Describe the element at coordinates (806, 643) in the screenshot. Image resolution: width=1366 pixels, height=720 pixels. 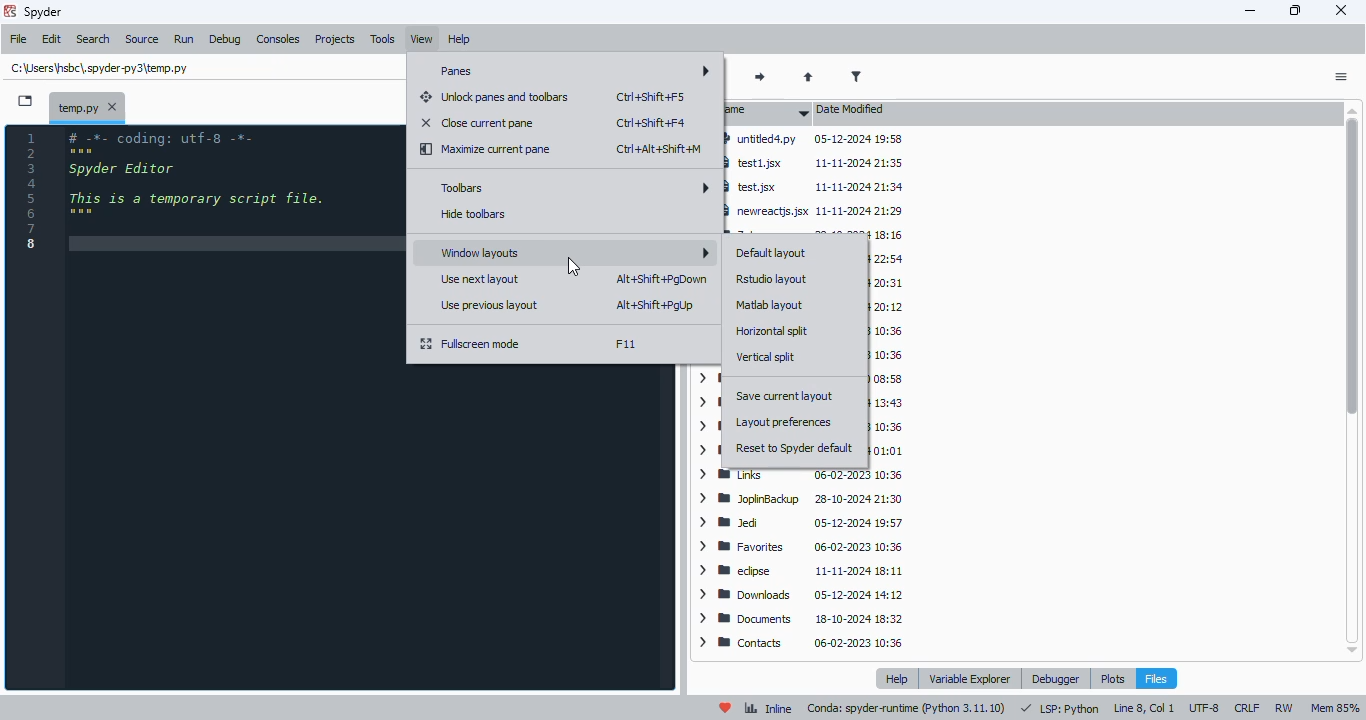
I see `contacts` at that location.